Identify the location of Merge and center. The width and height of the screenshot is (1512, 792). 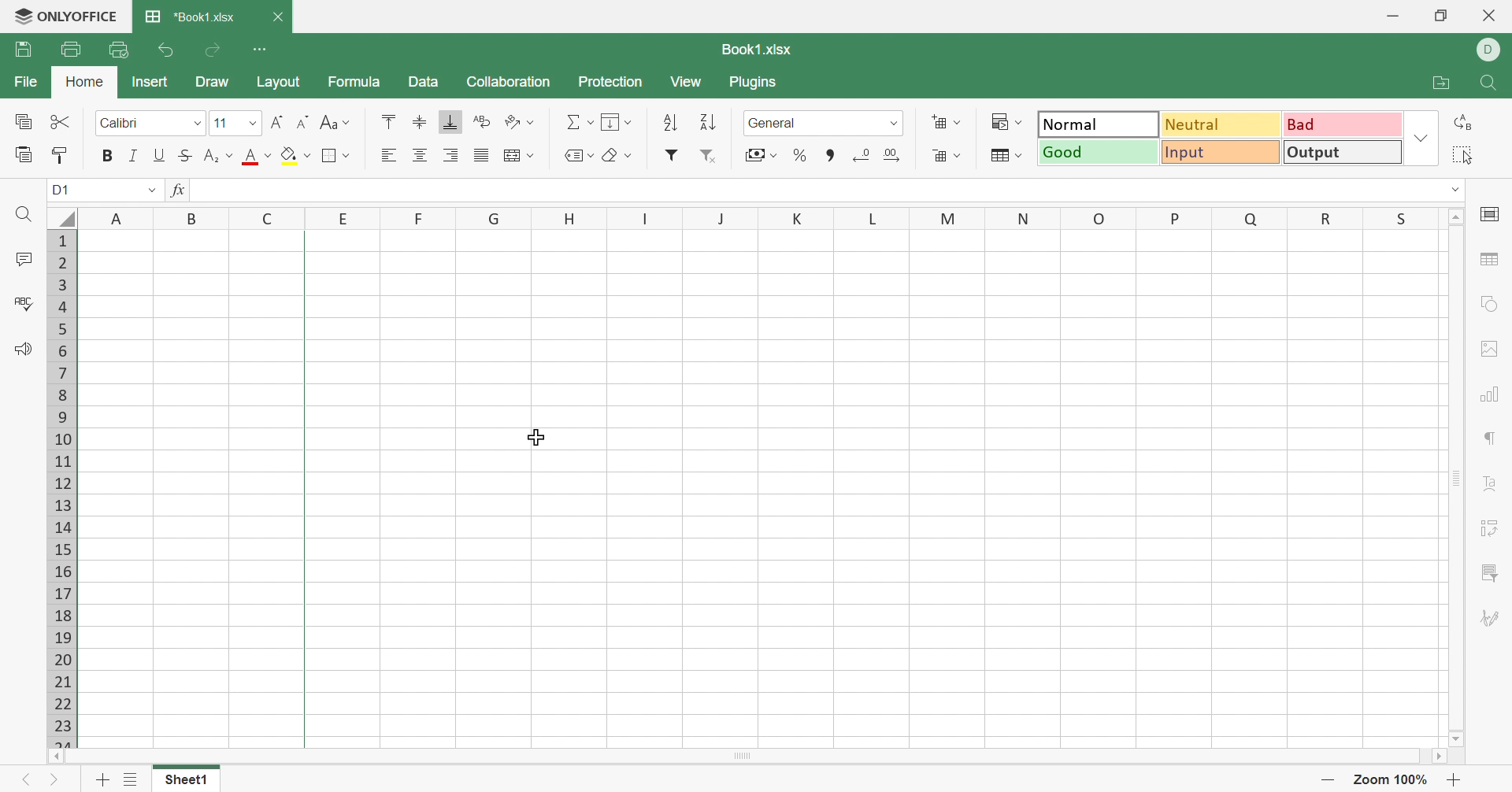
(508, 154).